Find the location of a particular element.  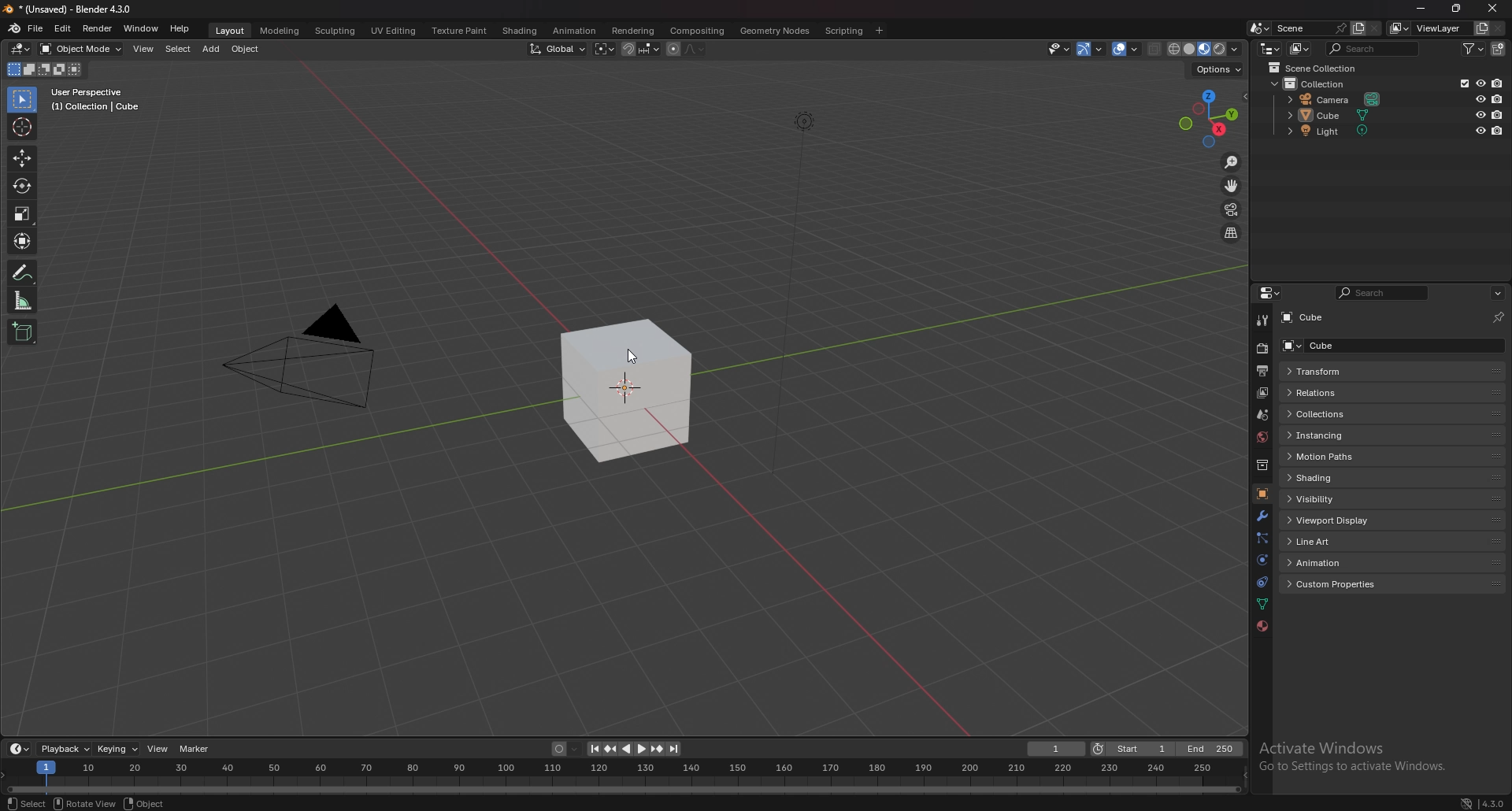

layout is located at coordinates (231, 31).